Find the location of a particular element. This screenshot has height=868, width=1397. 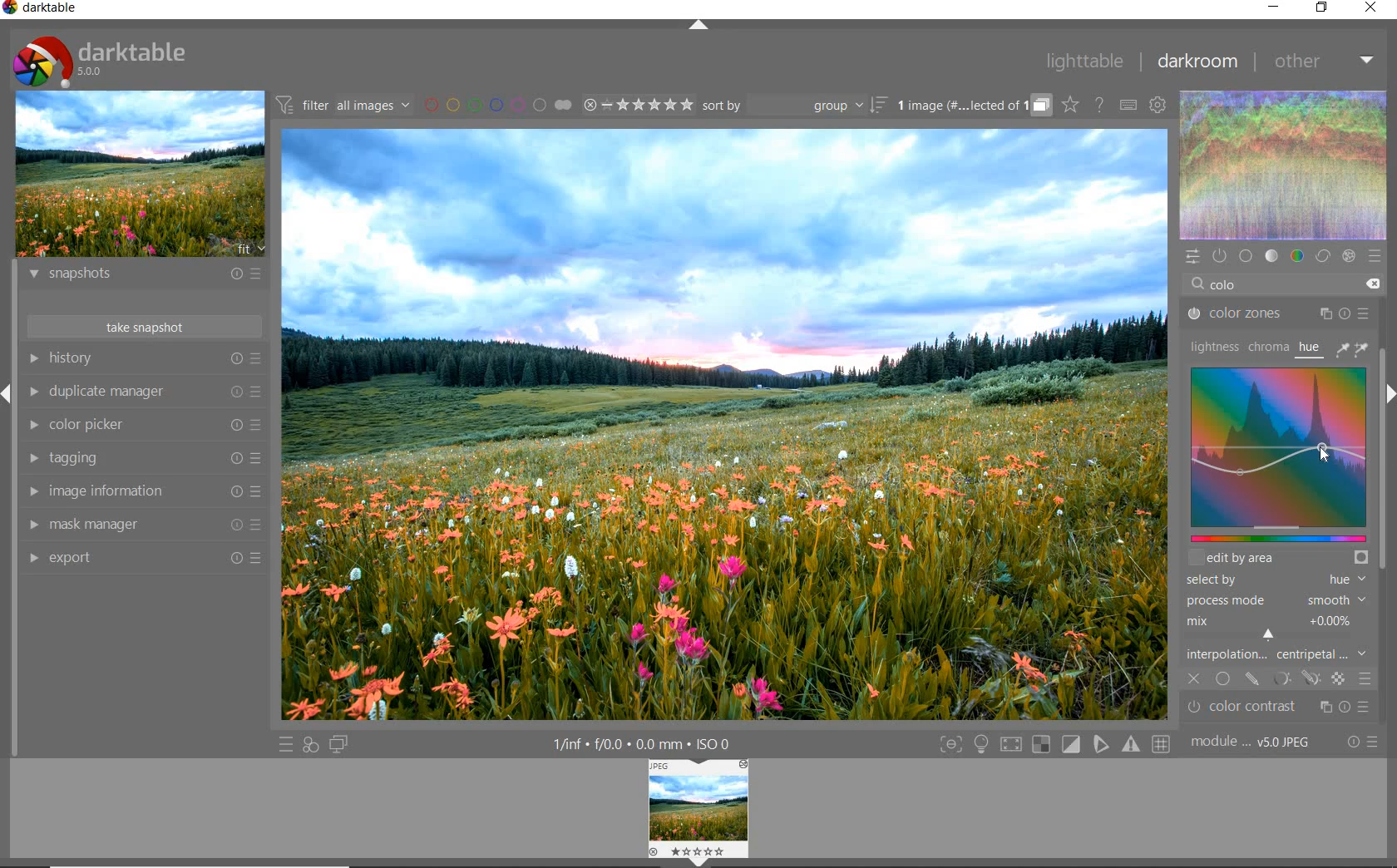

picker tools is located at coordinates (1355, 348).